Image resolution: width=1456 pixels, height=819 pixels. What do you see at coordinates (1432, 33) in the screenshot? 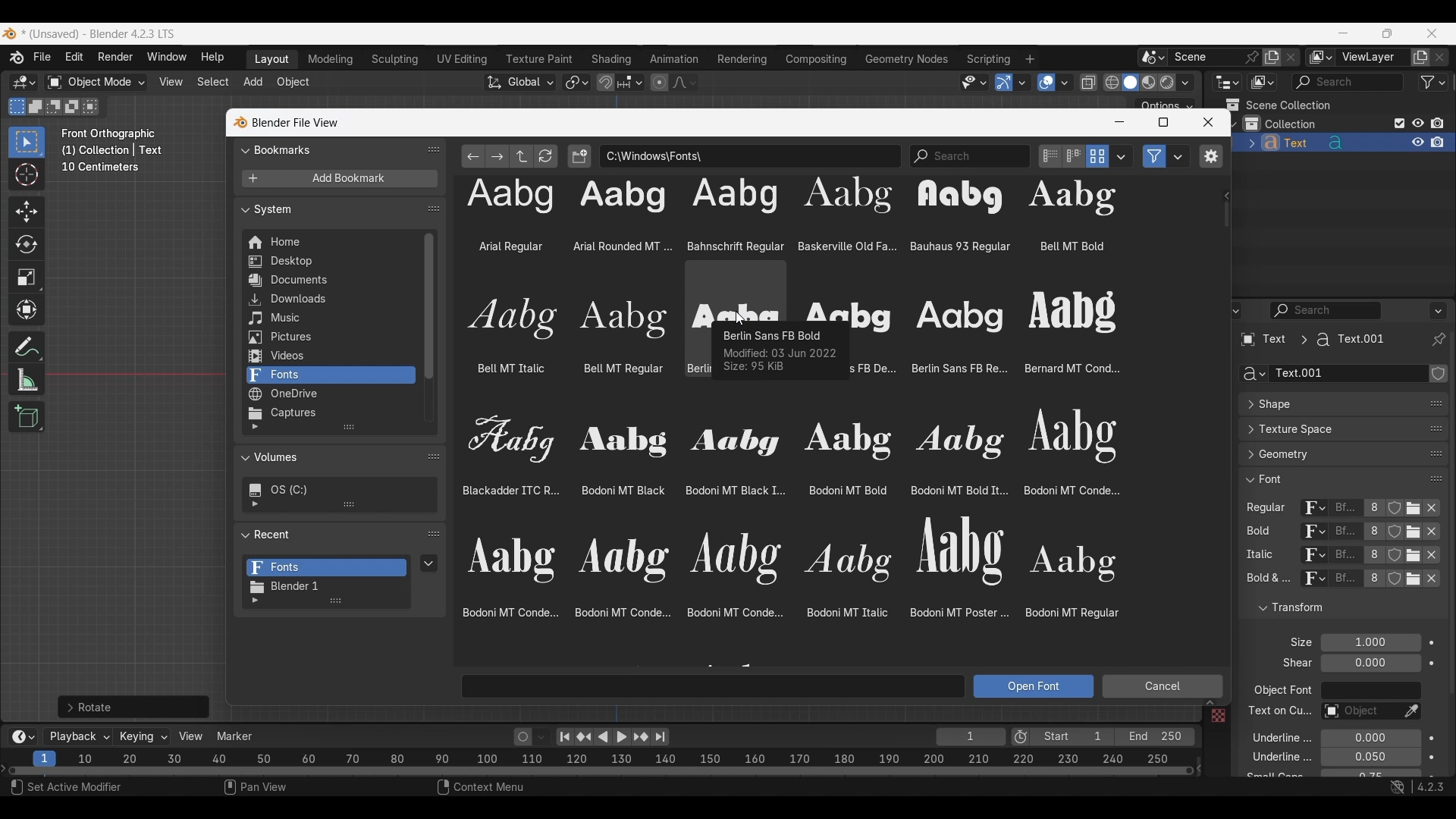
I see `Close interface` at bounding box center [1432, 33].